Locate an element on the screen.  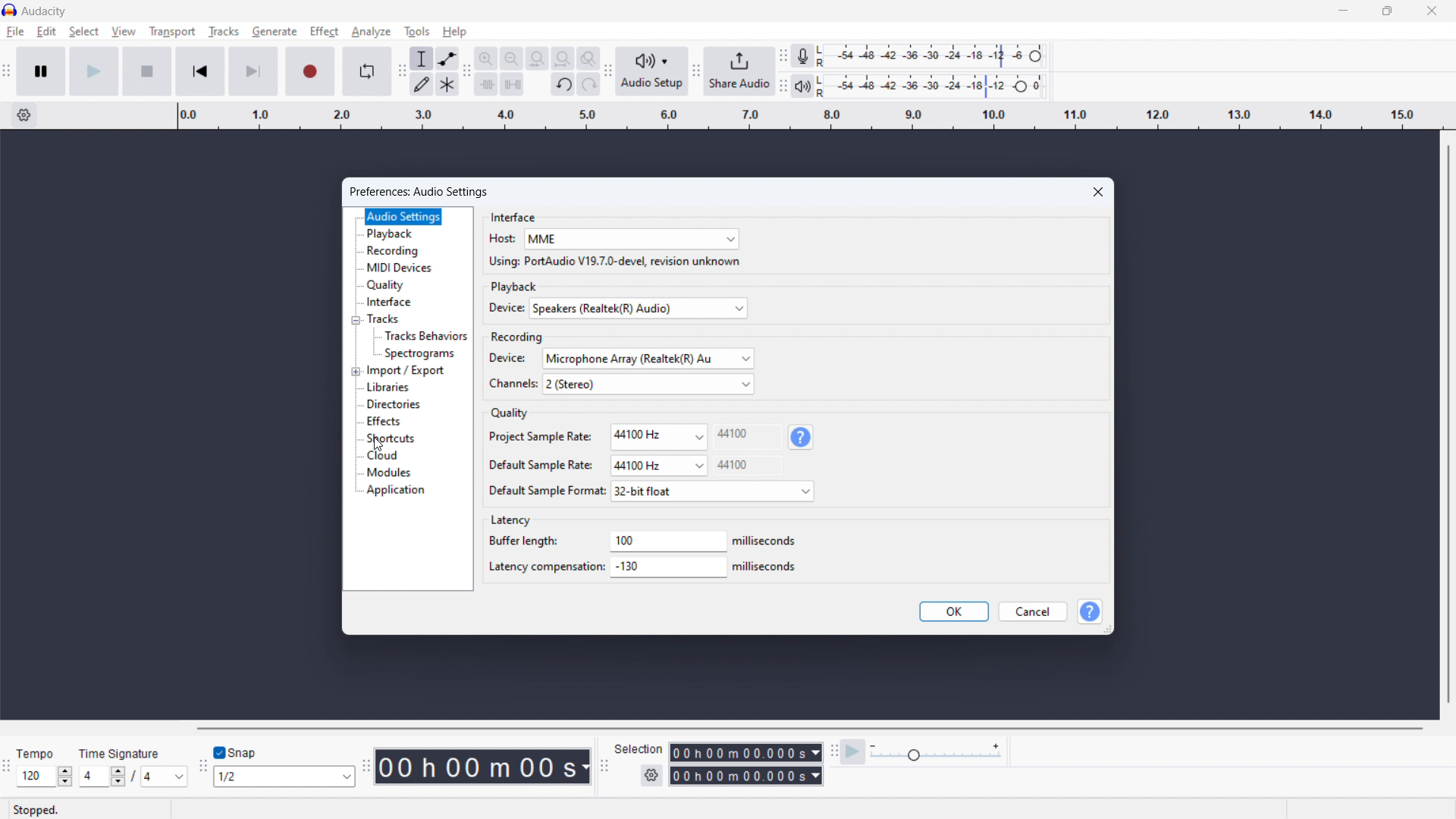
Enables movement of time signature toolbar is located at coordinates (5, 767).